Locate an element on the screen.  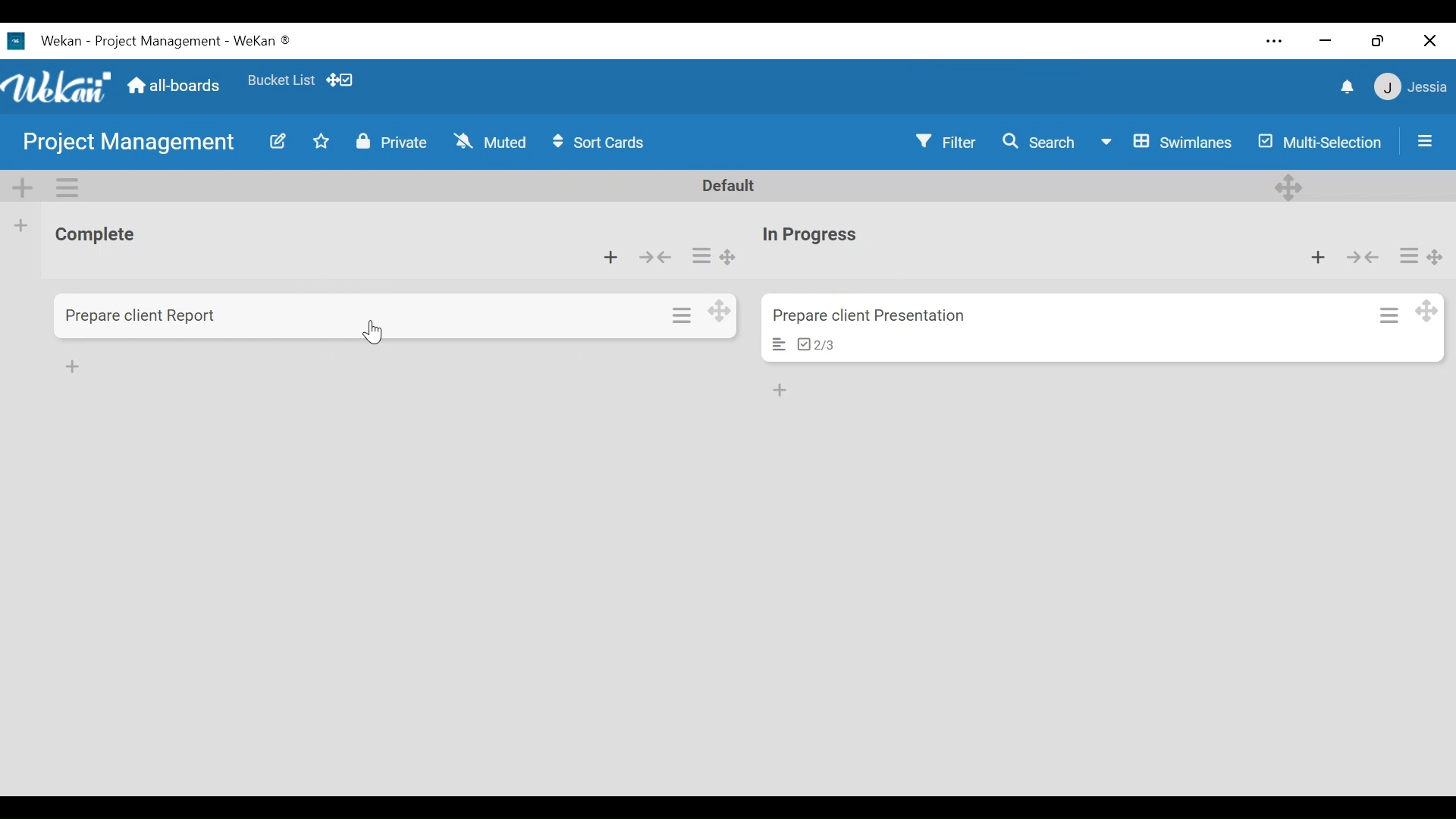
Search is located at coordinates (1038, 142).